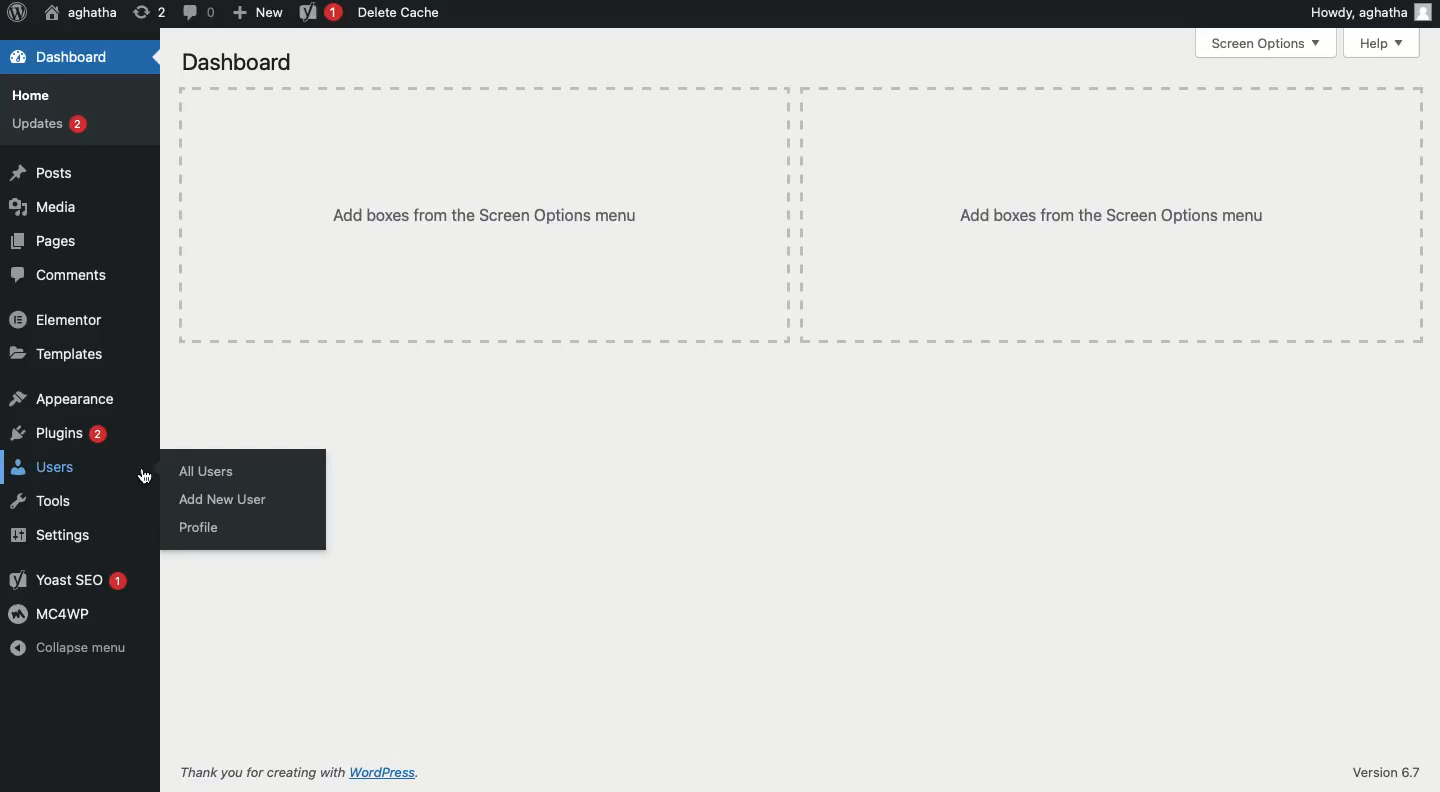 The height and width of the screenshot is (792, 1440). What do you see at coordinates (37, 501) in the screenshot?
I see `Tools` at bounding box center [37, 501].